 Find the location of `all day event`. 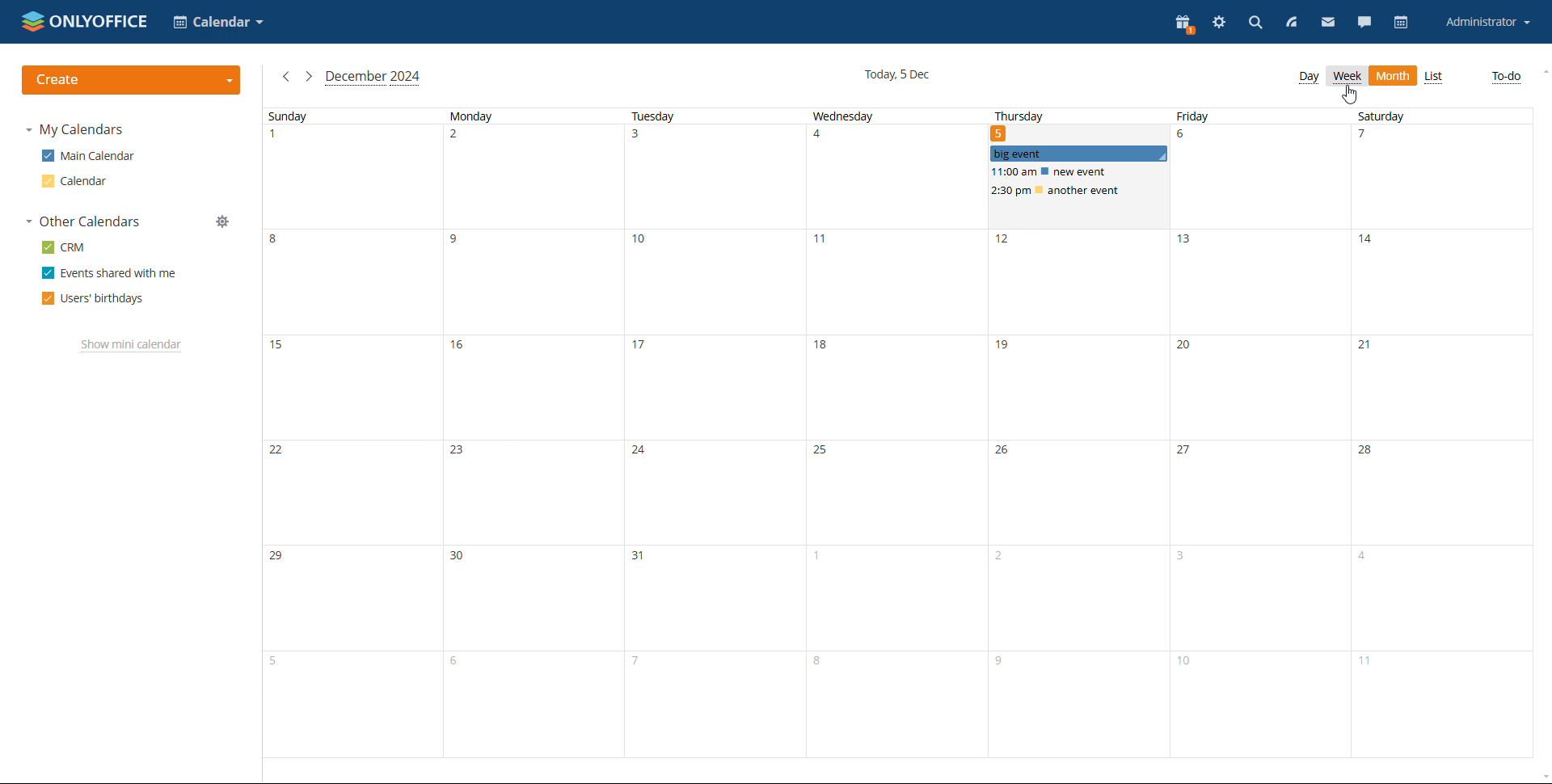

all day event is located at coordinates (1079, 153).